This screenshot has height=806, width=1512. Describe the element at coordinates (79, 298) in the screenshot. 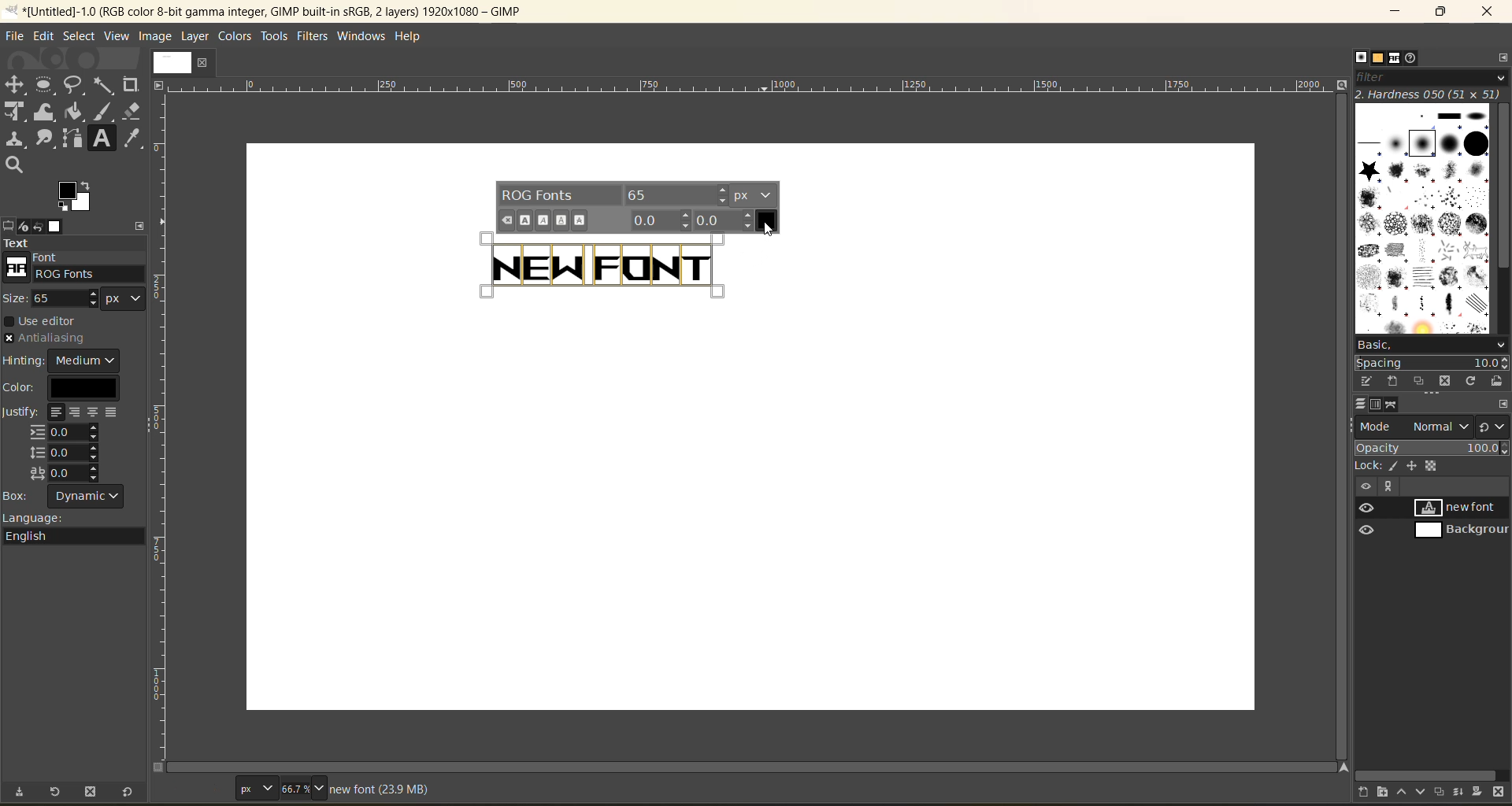

I see `size` at that location.